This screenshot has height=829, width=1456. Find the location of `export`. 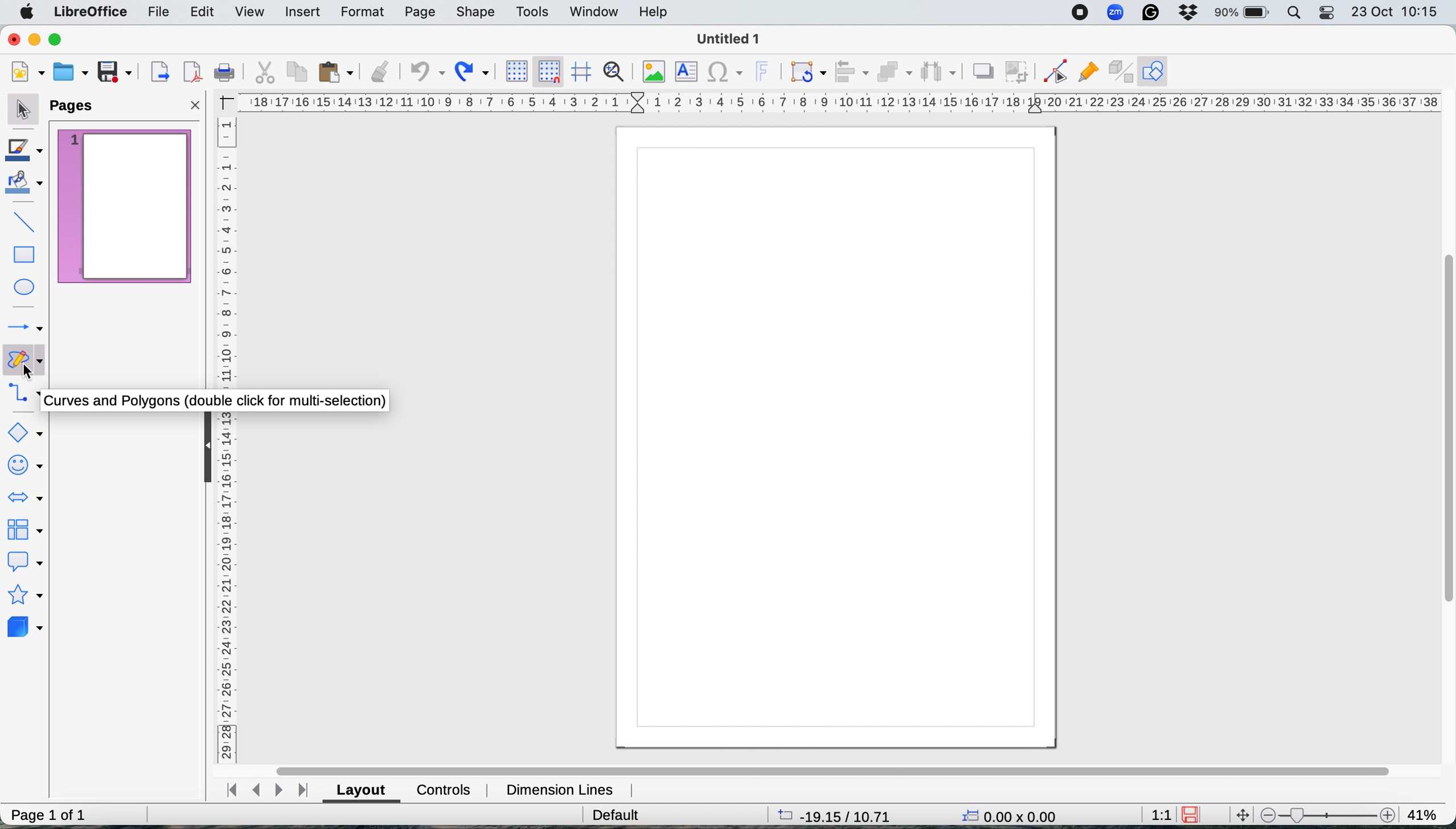

export is located at coordinates (159, 71).